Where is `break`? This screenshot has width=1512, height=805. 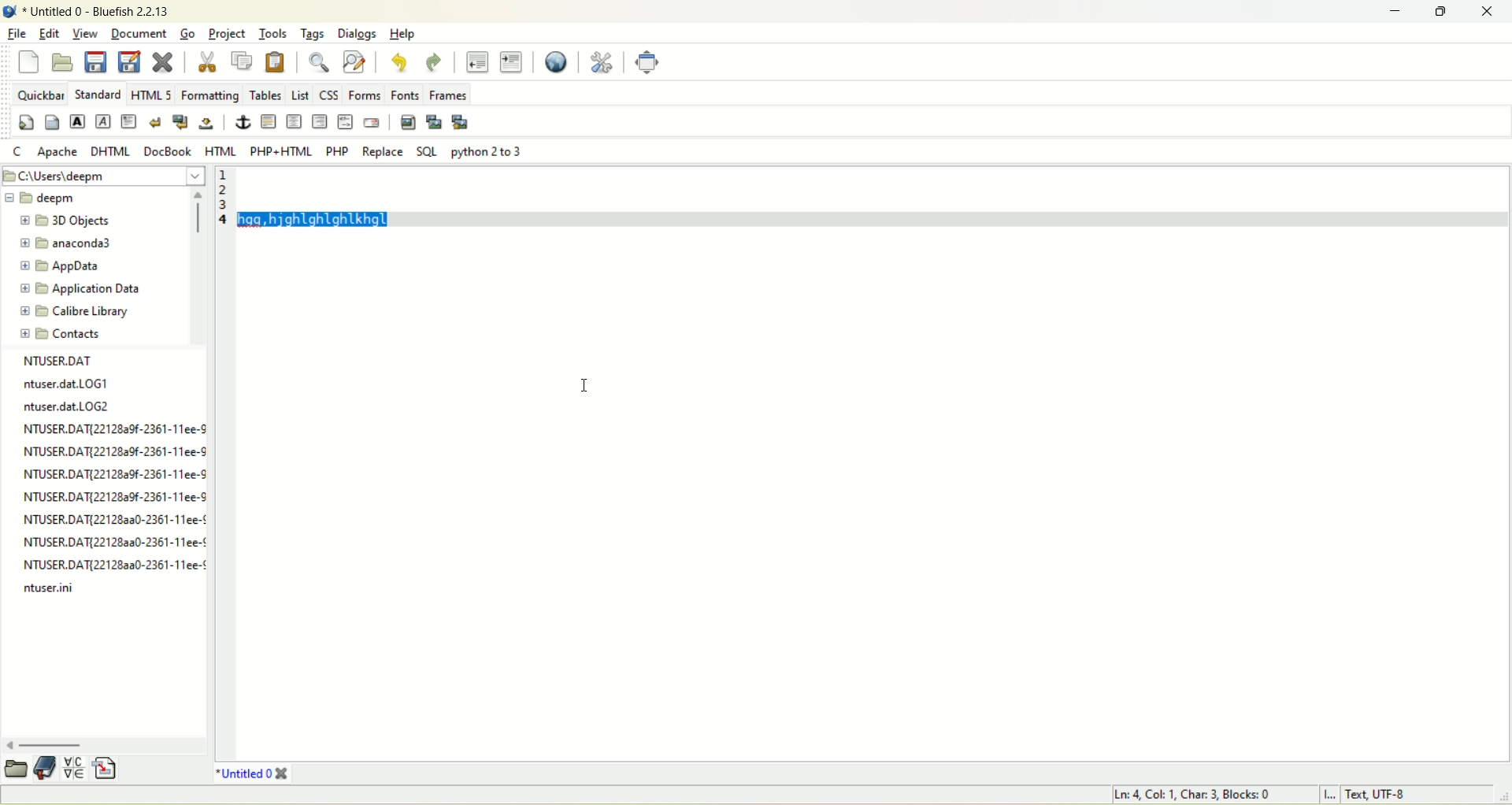
break is located at coordinates (154, 121).